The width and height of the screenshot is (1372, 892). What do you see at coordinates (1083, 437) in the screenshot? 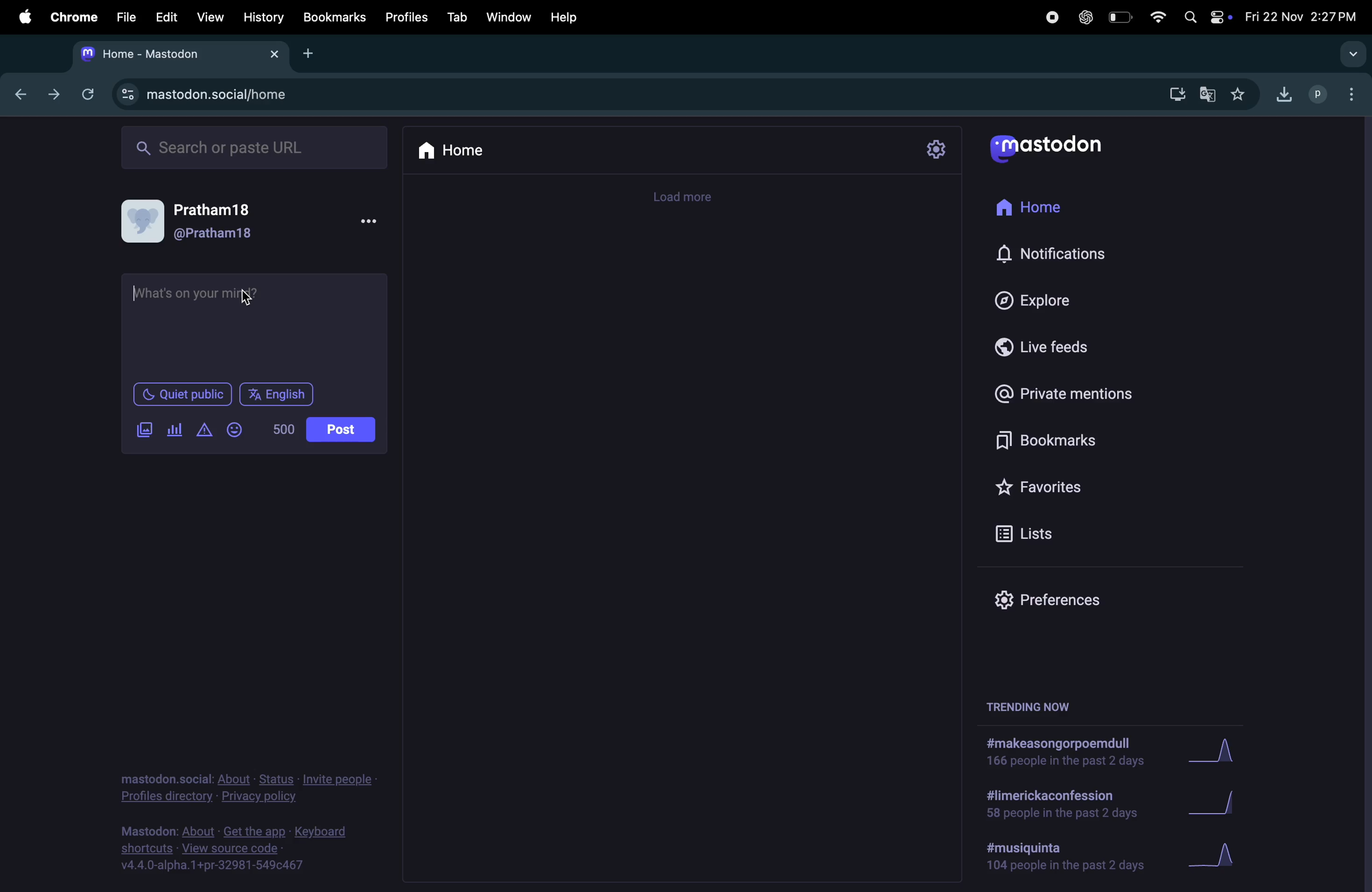
I see `bookmarks` at bounding box center [1083, 437].